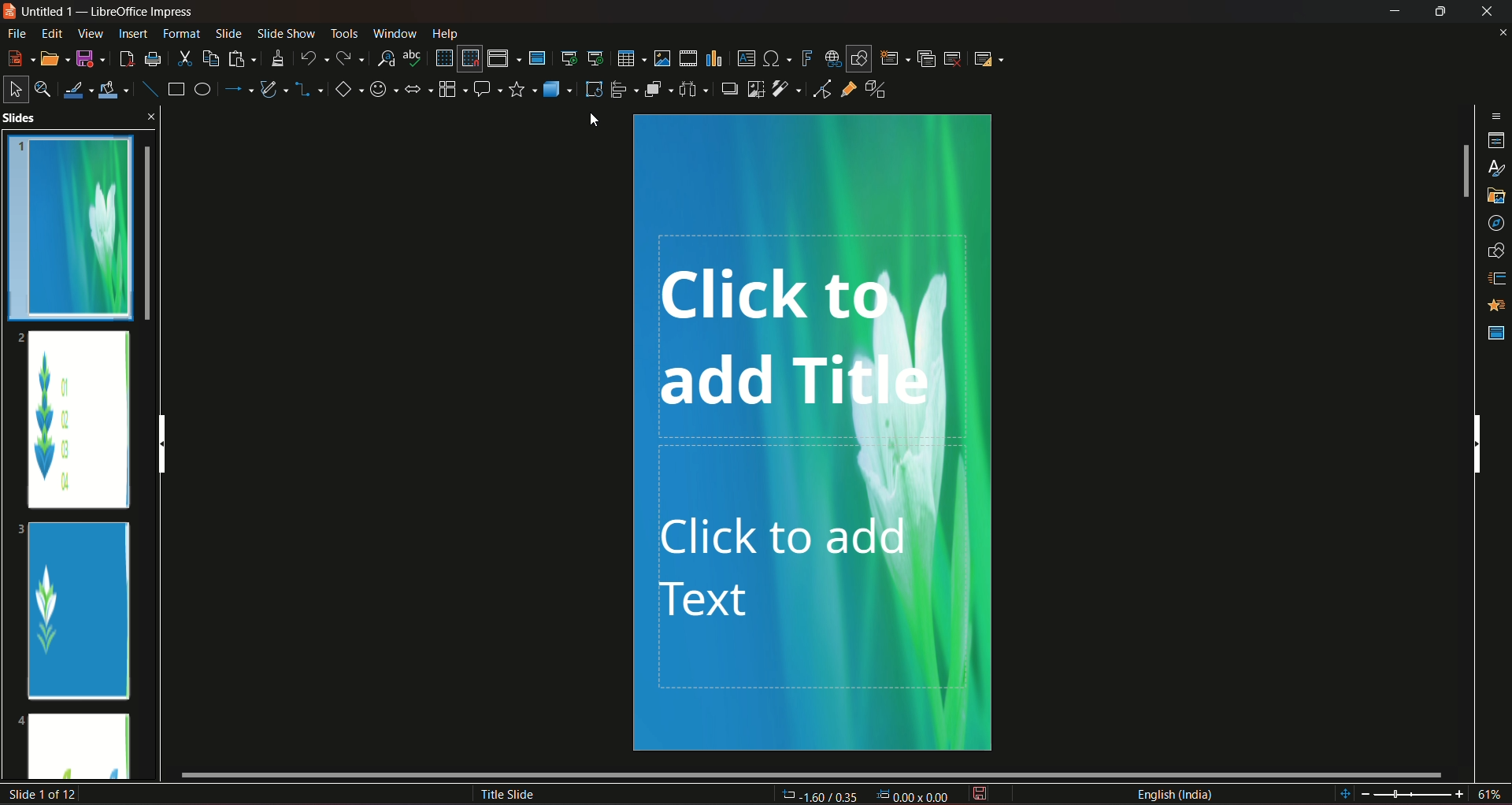 The image size is (1512, 805). What do you see at coordinates (864, 794) in the screenshot?
I see `dimensions` at bounding box center [864, 794].